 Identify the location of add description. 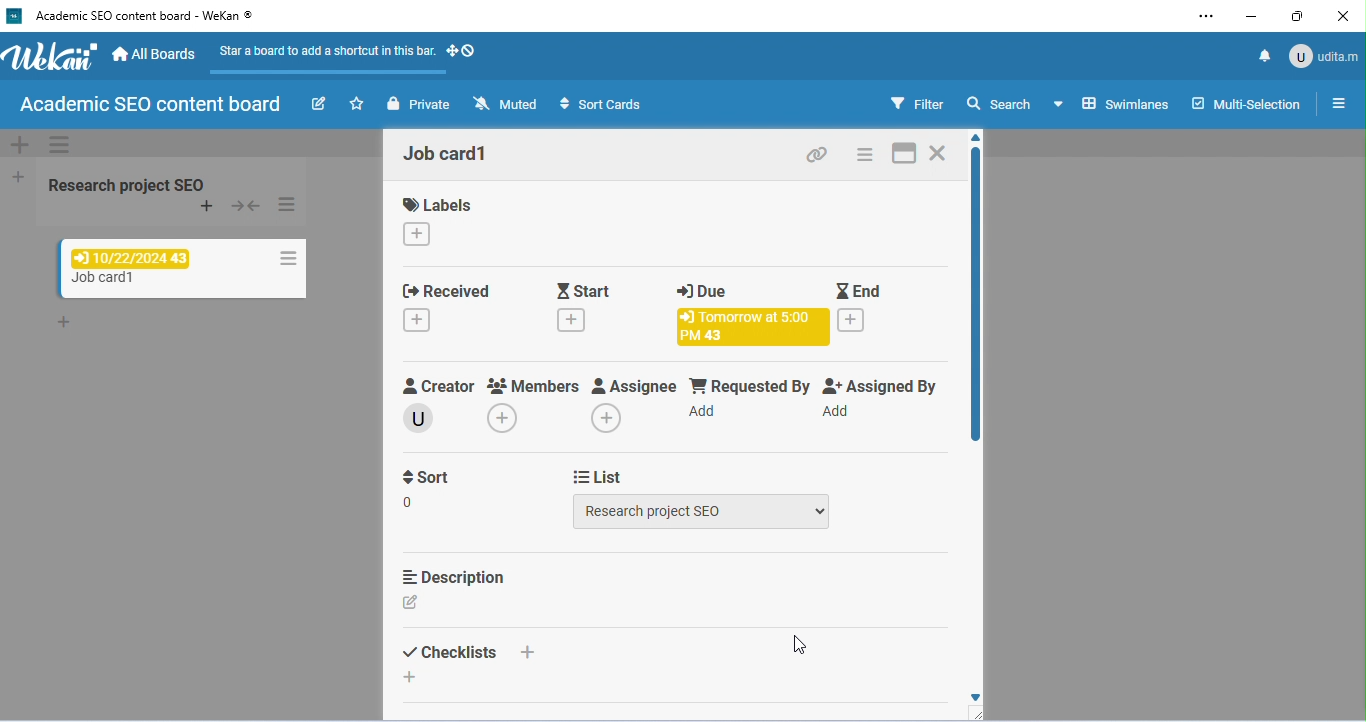
(412, 601).